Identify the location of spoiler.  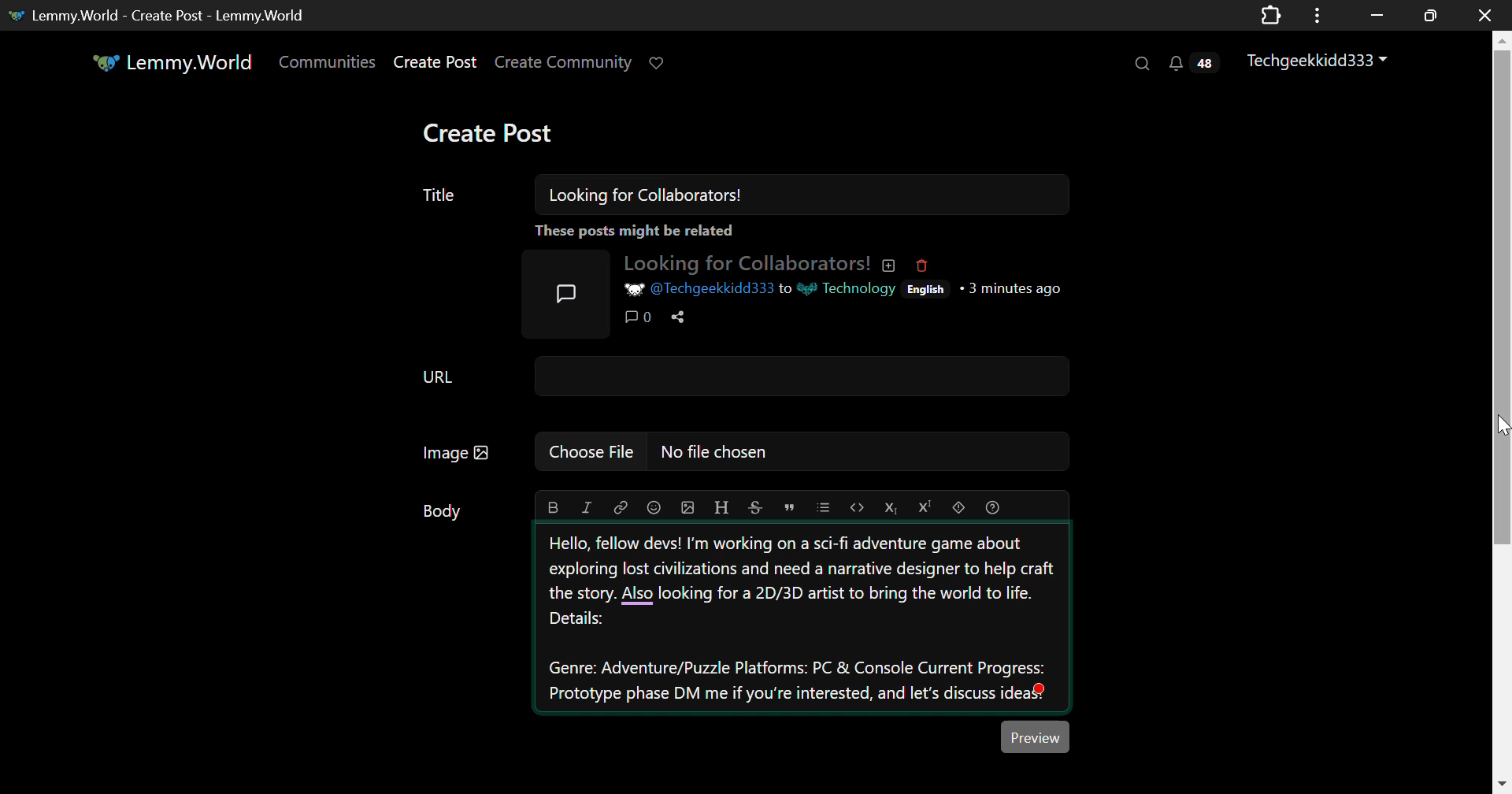
(958, 506).